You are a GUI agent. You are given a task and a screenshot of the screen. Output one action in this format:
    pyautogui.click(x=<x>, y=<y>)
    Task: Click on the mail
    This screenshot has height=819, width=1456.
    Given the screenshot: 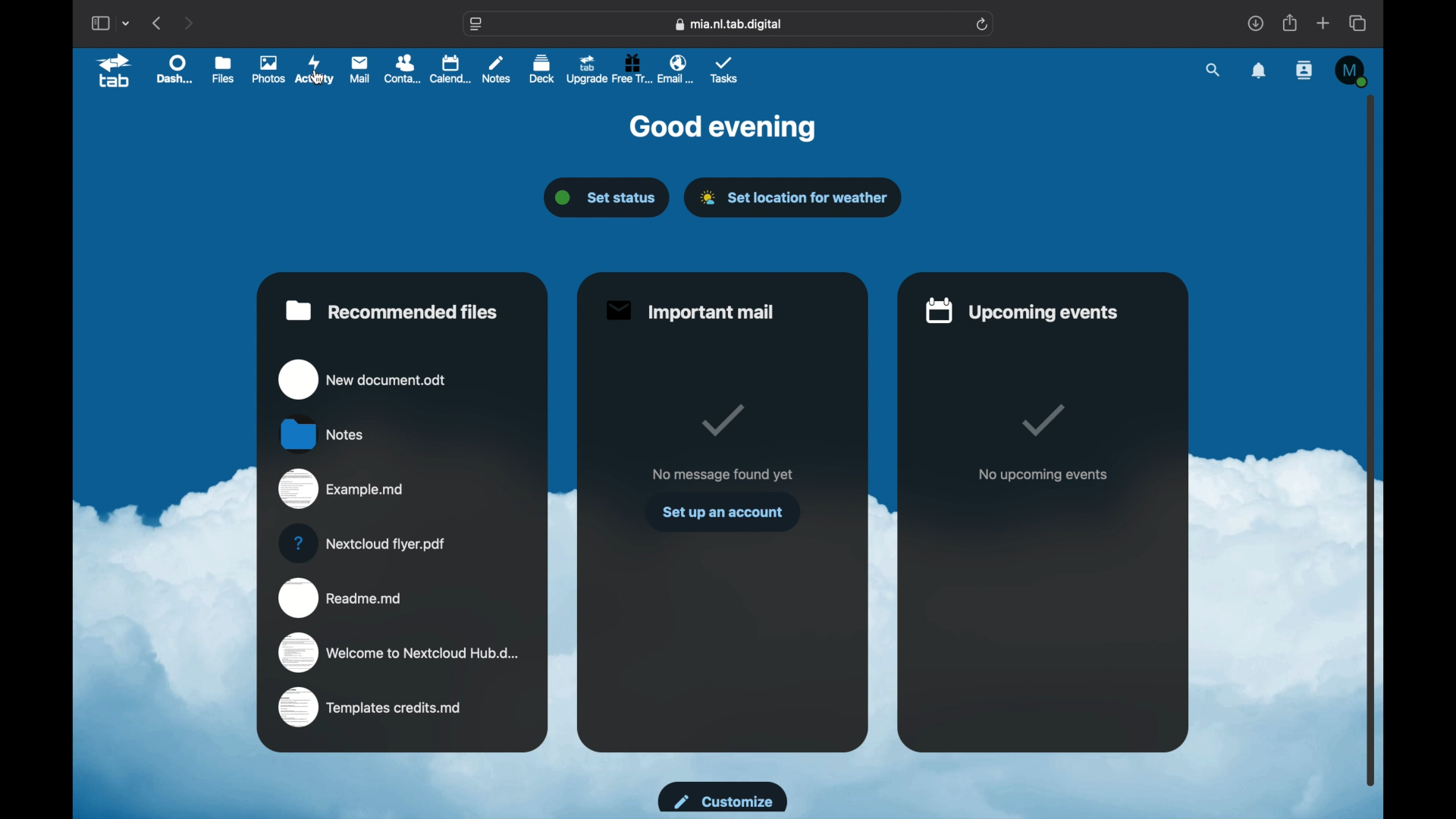 What is the action you would take?
    pyautogui.click(x=361, y=70)
    